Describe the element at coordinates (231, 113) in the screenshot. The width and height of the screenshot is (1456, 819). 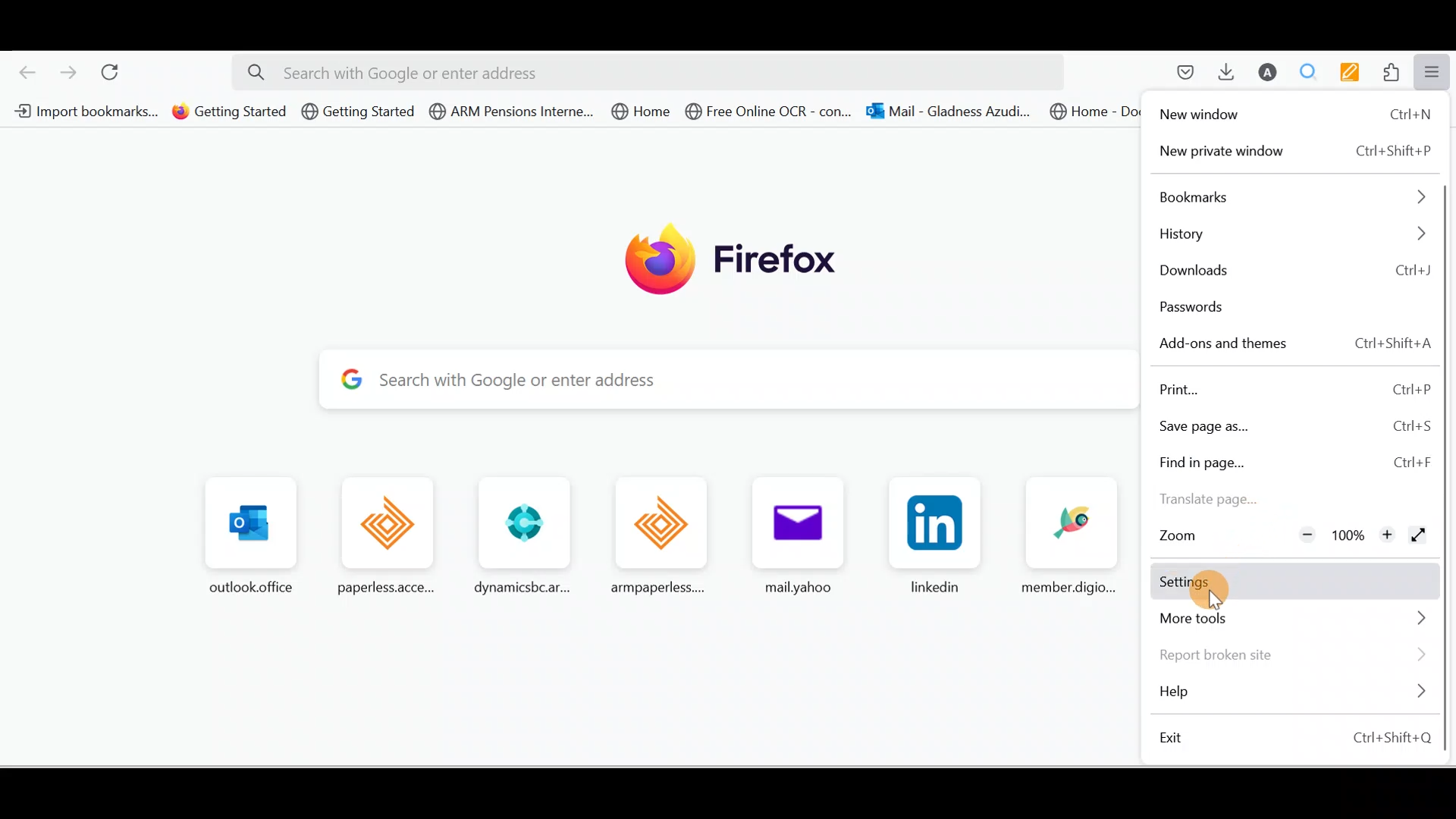
I see `Bookmark 2` at that location.